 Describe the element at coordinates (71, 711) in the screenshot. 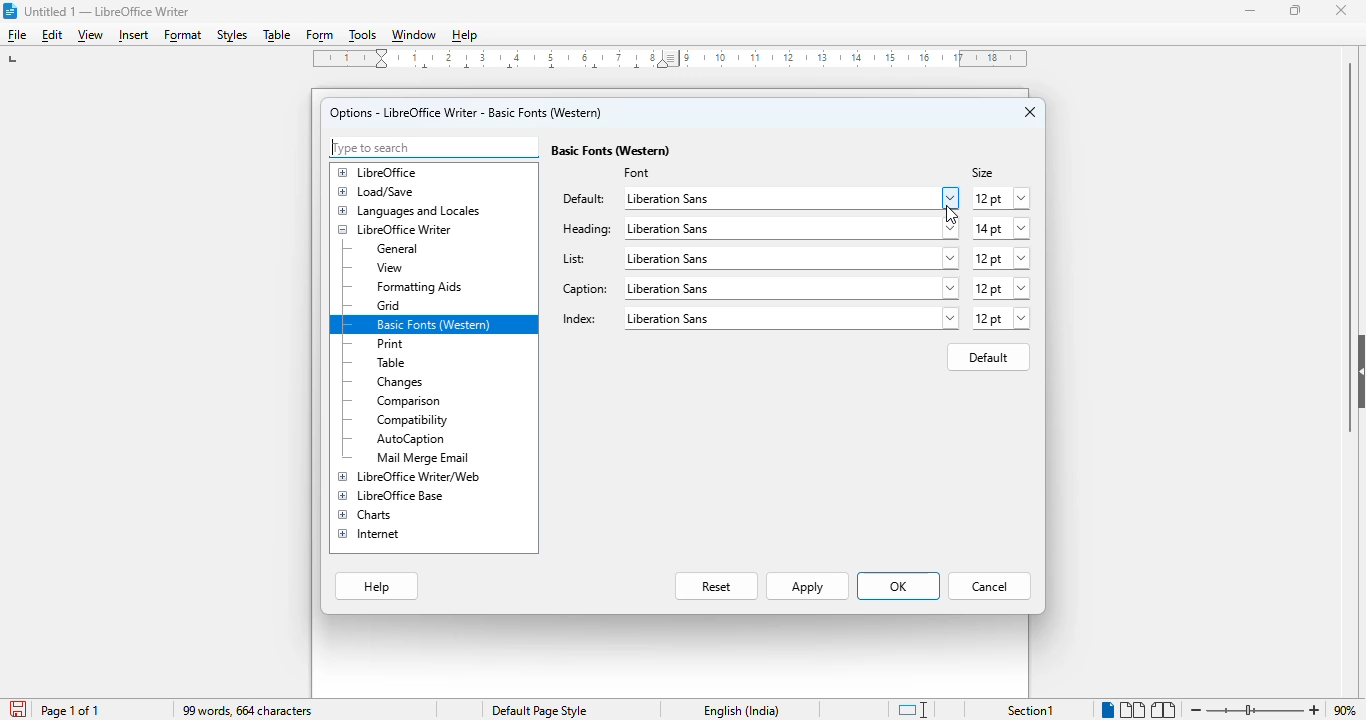

I see `page 1 of 1` at that location.